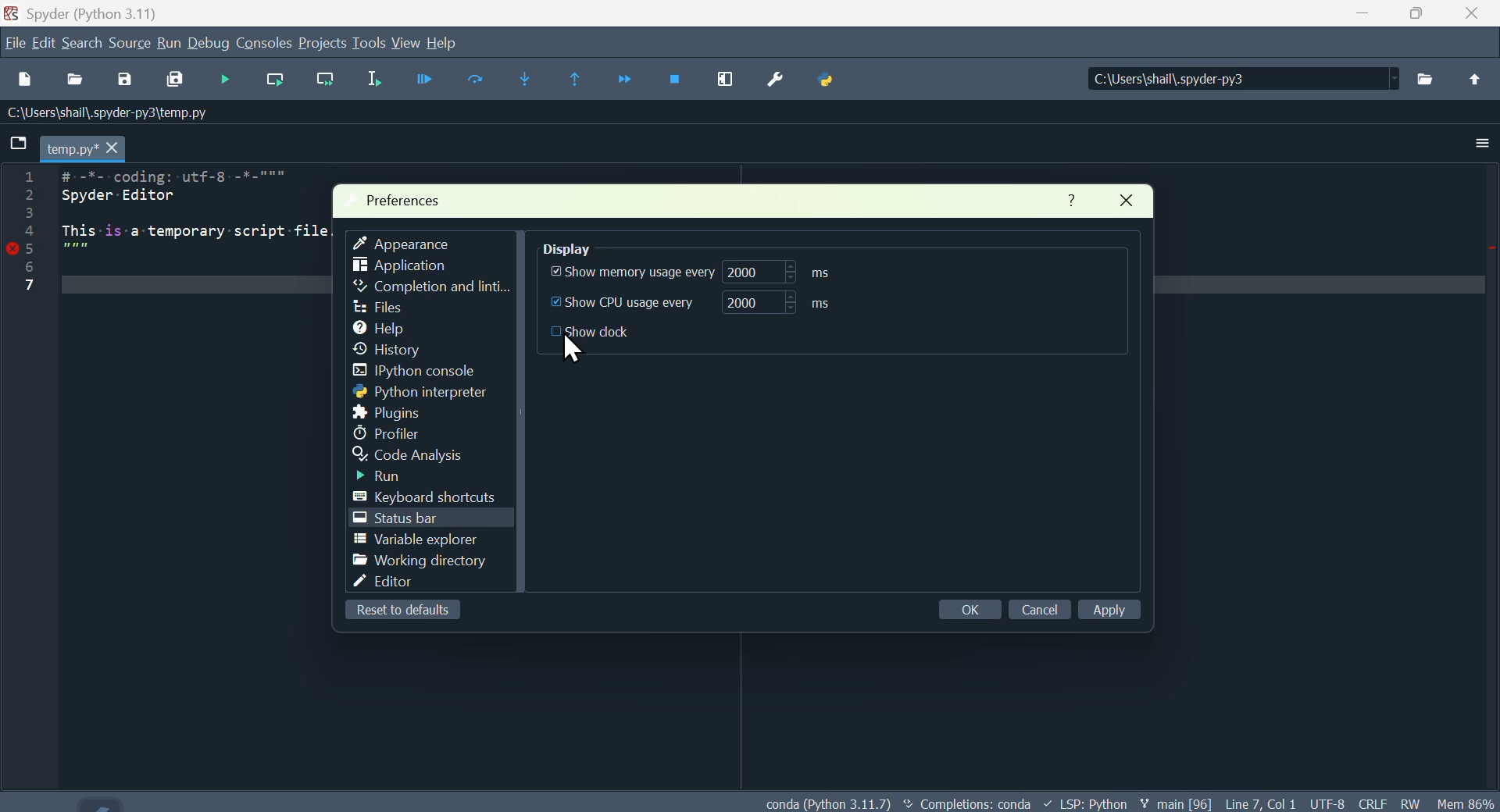 The width and height of the screenshot is (1500, 812). What do you see at coordinates (130, 43) in the screenshot?
I see `Source` at bounding box center [130, 43].